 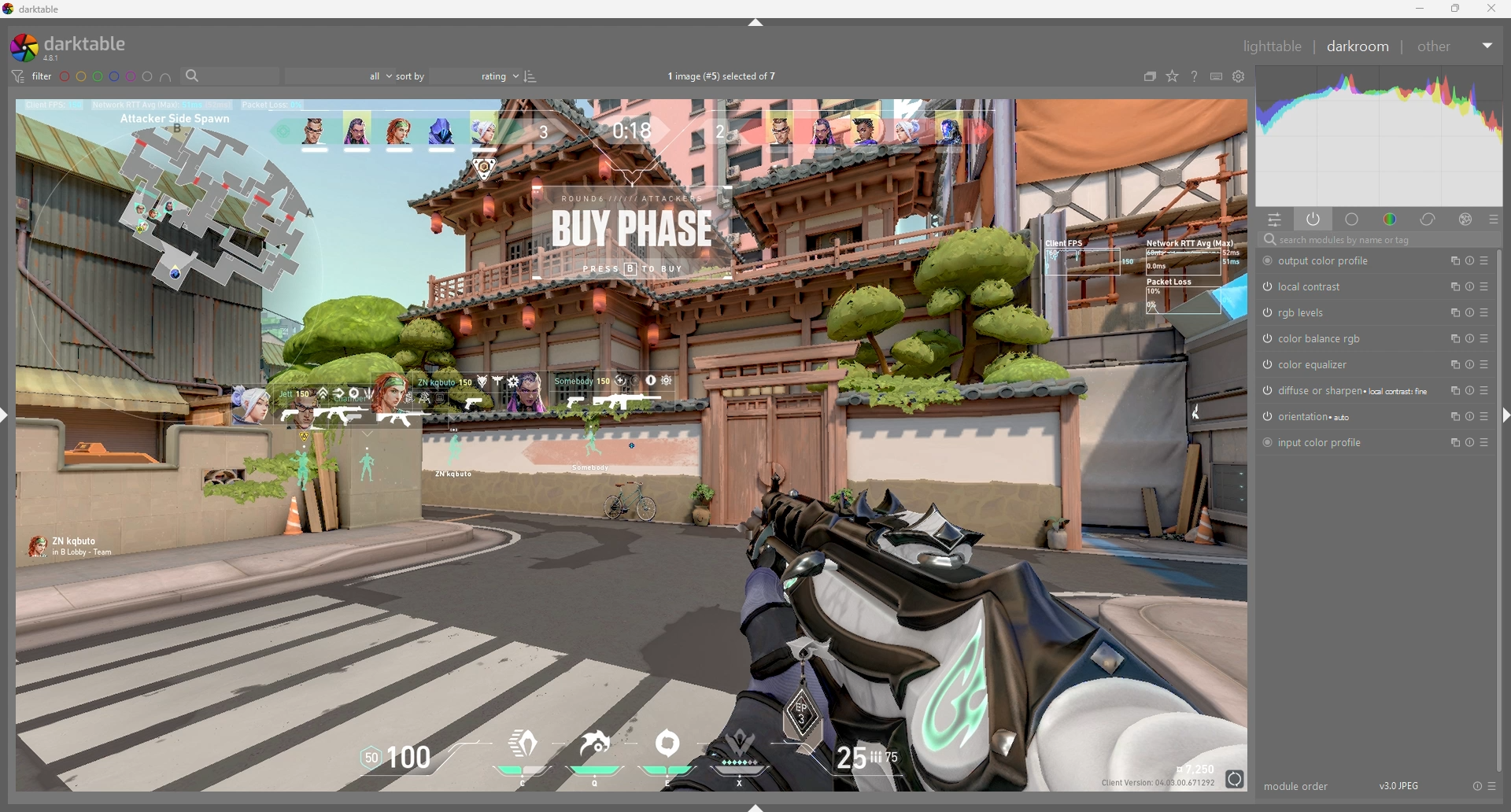 What do you see at coordinates (1483, 390) in the screenshot?
I see `presets` at bounding box center [1483, 390].